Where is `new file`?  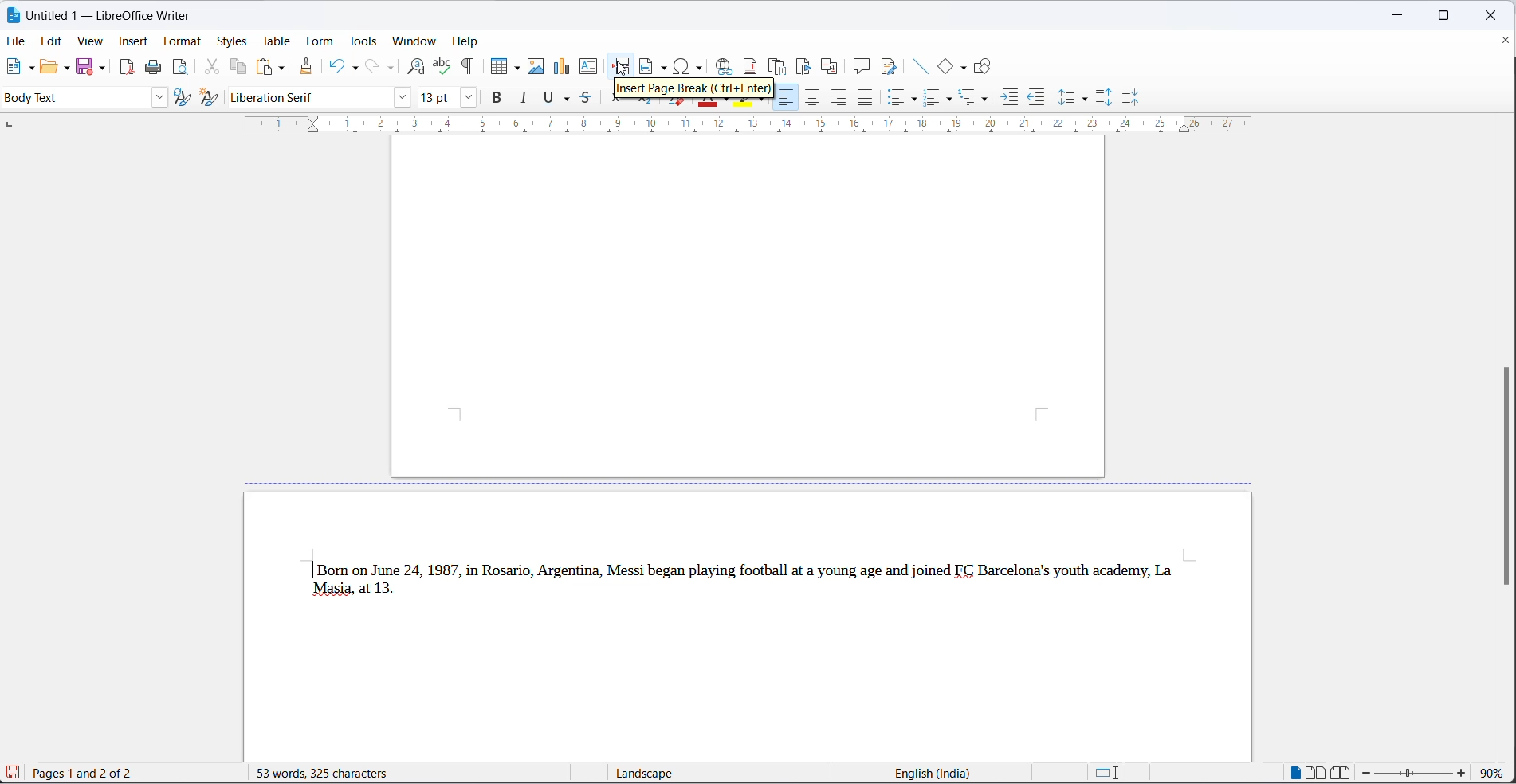 new file is located at coordinates (10, 67).